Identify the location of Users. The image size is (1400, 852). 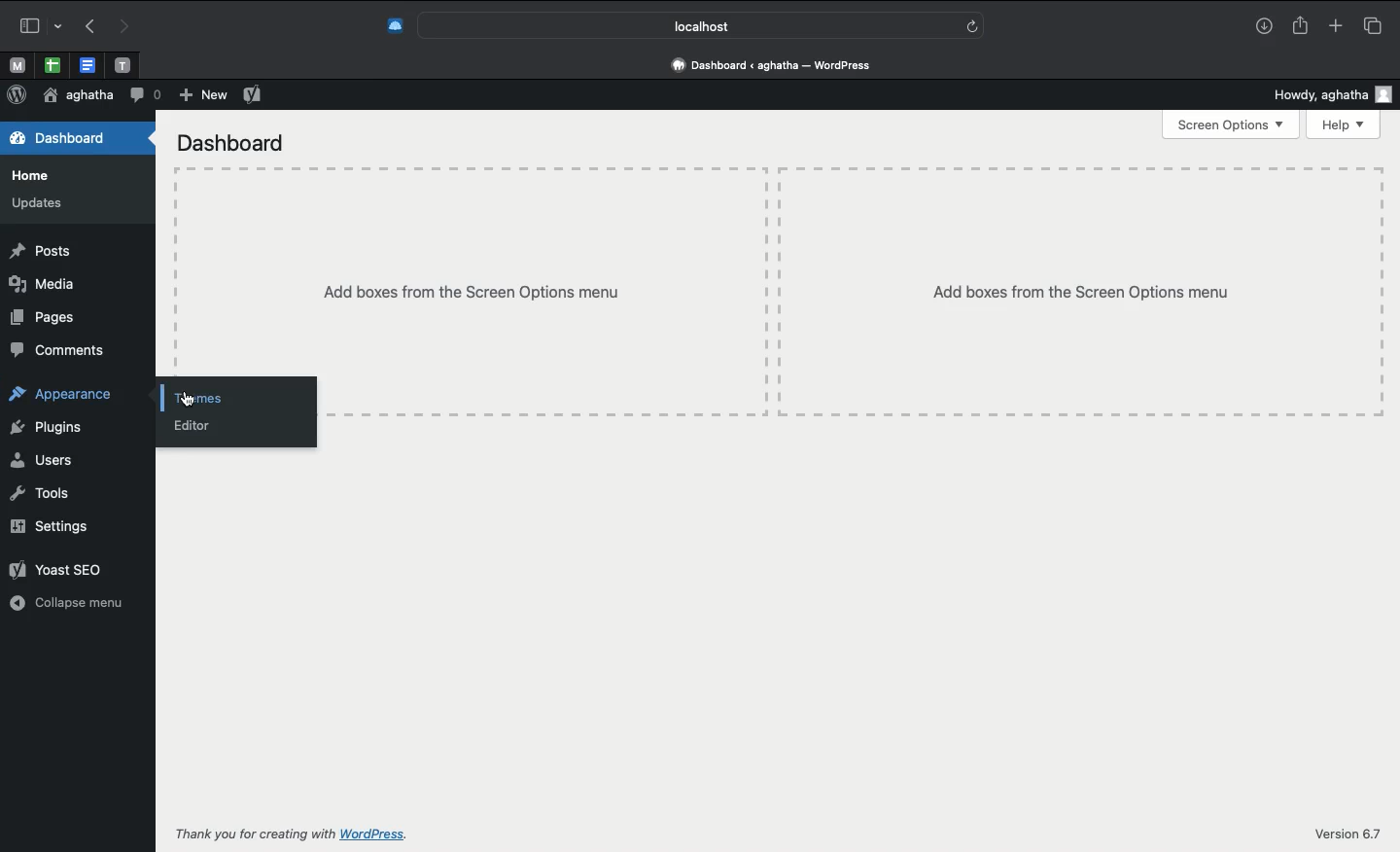
(43, 462).